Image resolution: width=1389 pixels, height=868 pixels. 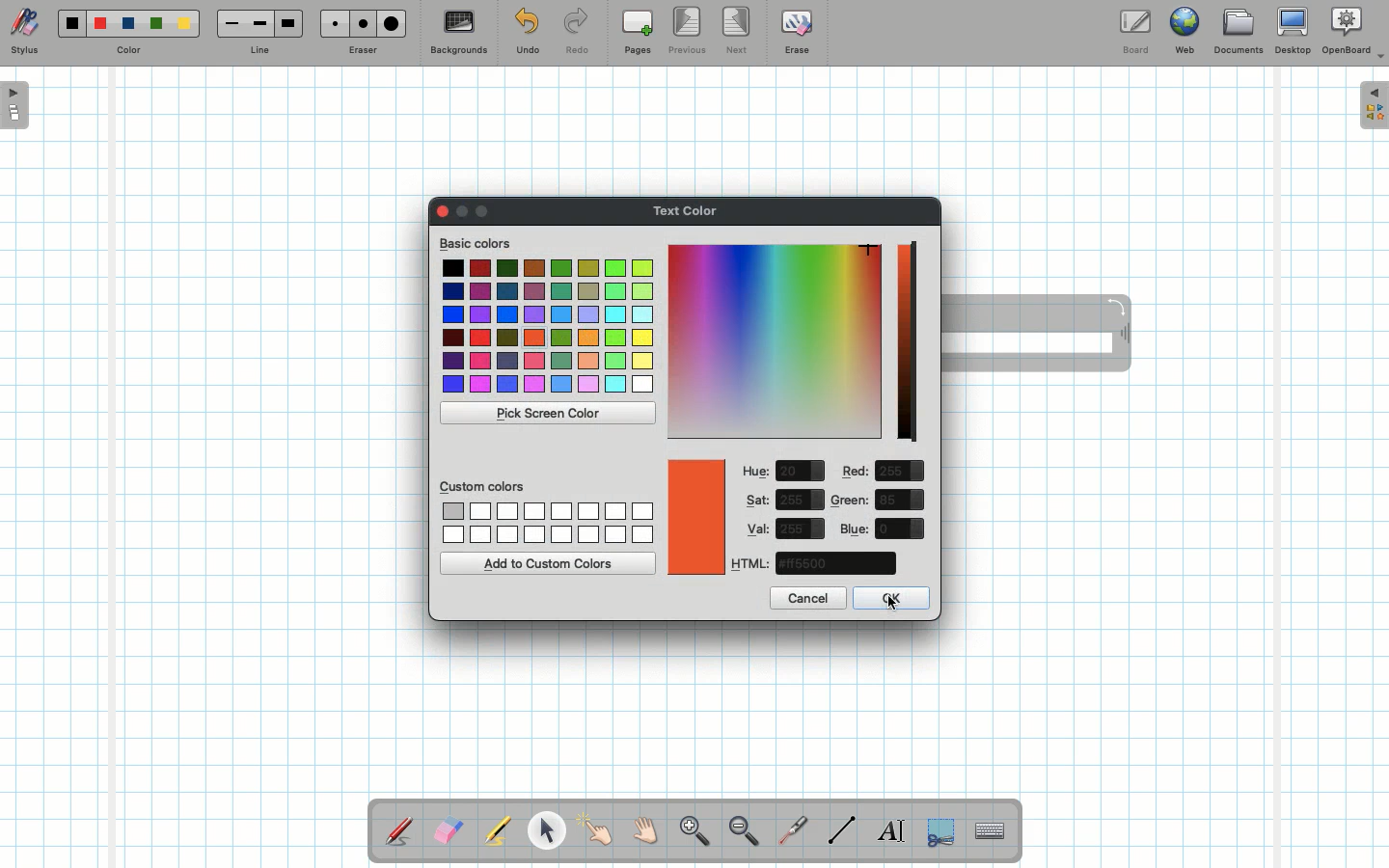 I want to click on Stylus, so click(x=24, y=32).